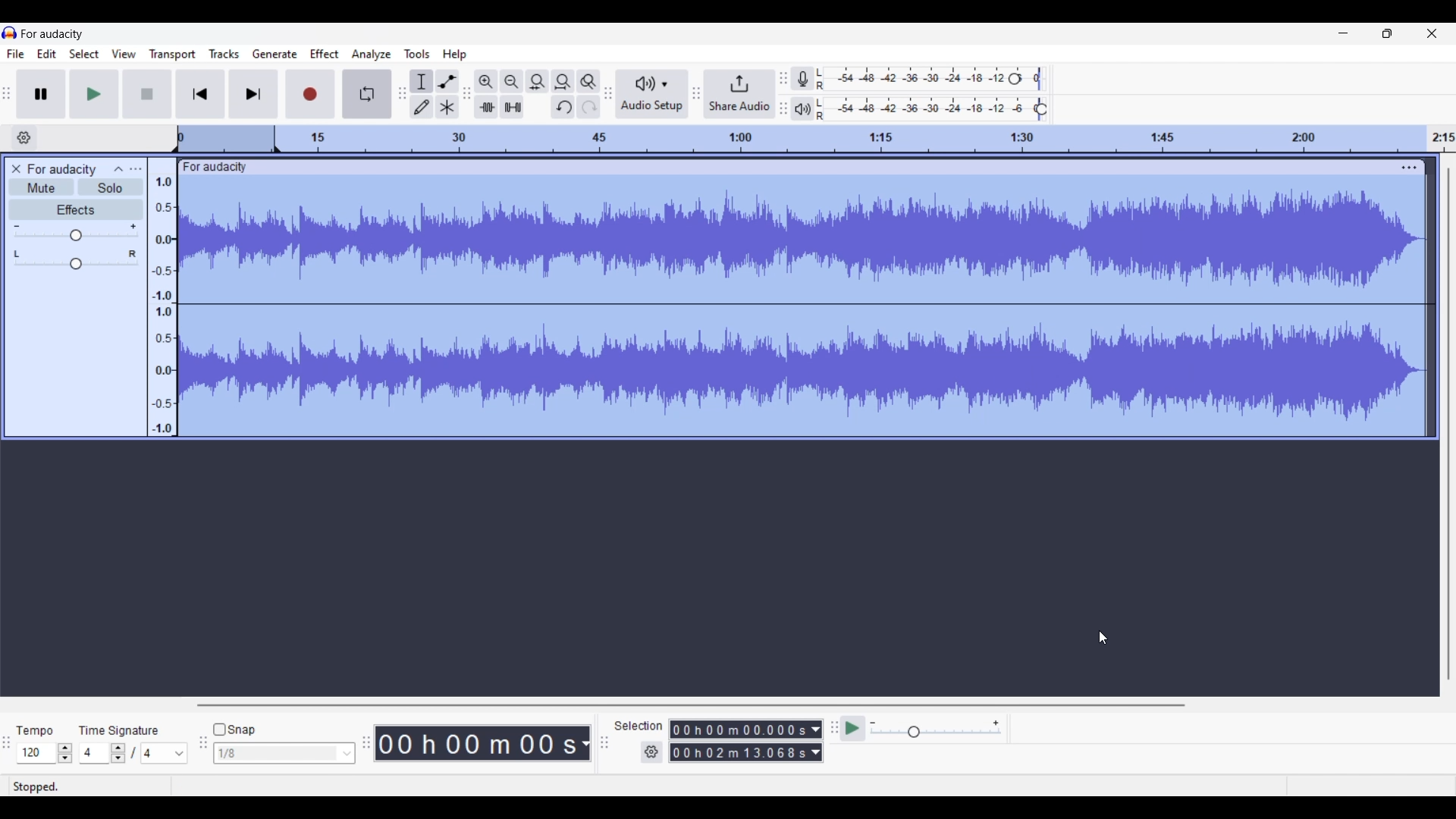 This screenshot has height=819, width=1456. Describe the element at coordinates (367, 94) in the screenshot. I see `Enable looping` at that location.